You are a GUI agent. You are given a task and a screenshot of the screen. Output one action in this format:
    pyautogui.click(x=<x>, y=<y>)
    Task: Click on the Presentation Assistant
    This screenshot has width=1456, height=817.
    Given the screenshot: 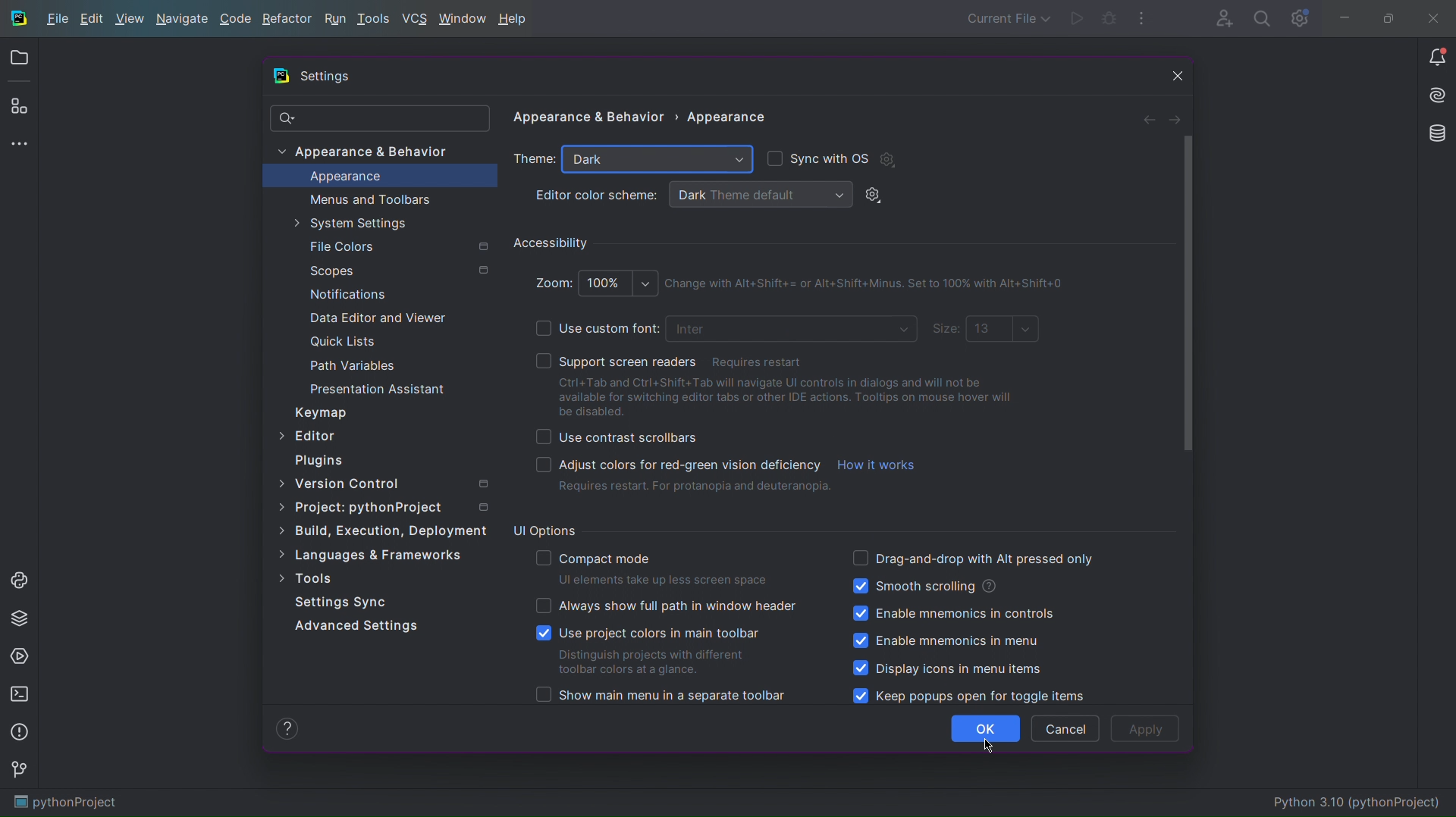 What is the action you would take?
    pyautogui.click(x=379, y=388)
    